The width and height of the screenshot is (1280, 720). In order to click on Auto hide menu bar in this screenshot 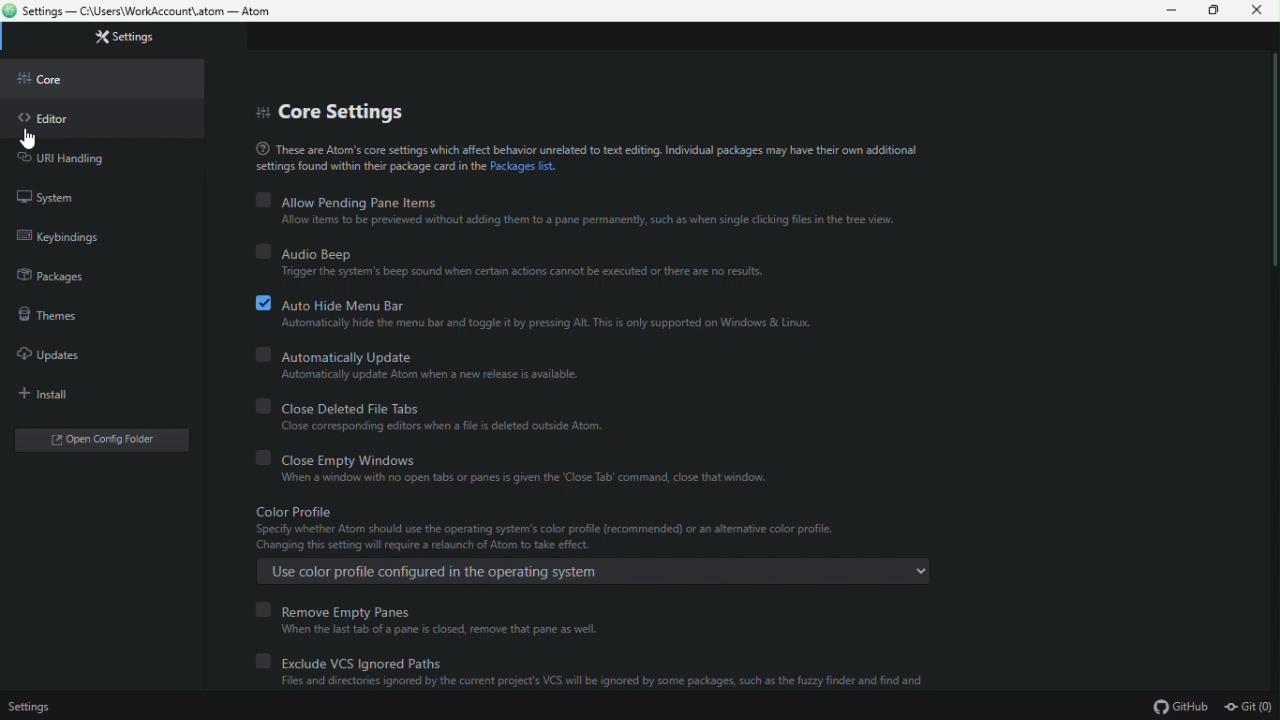, I will do `click(545, 303)`.